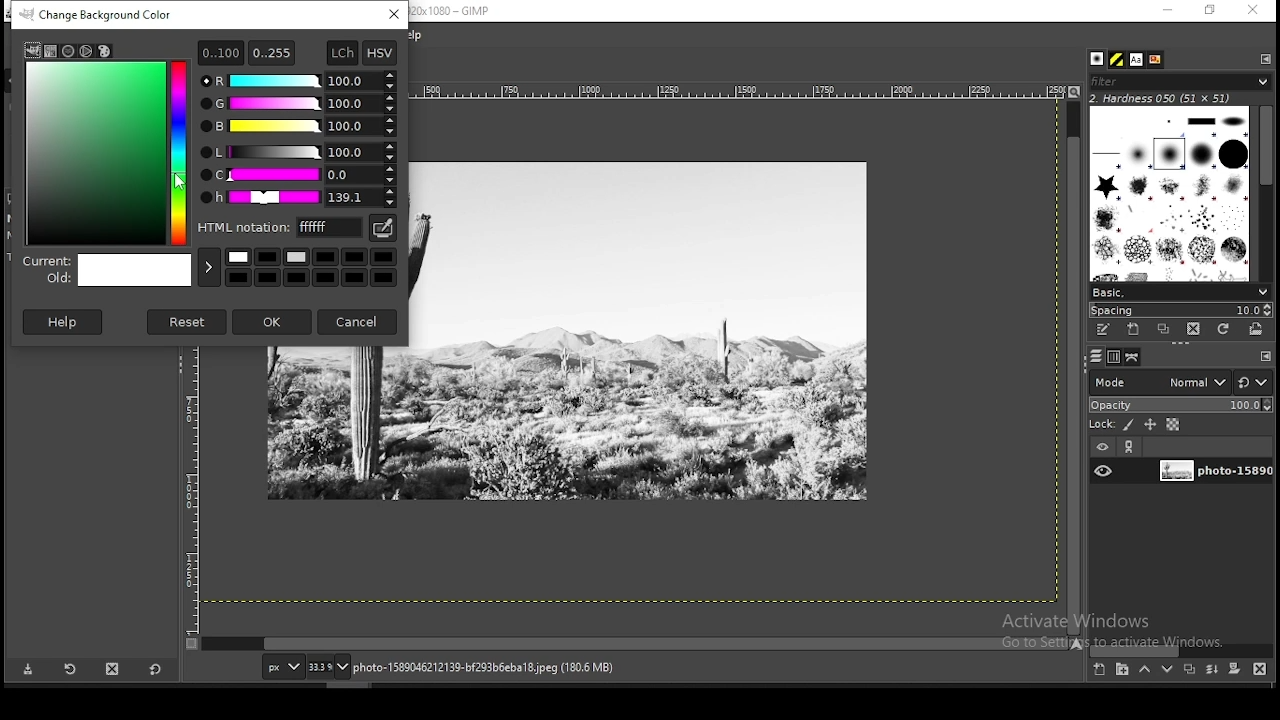  Describe the element at coordinates (1101, 448) in the screenshot. I see `layer visibility` at that location.